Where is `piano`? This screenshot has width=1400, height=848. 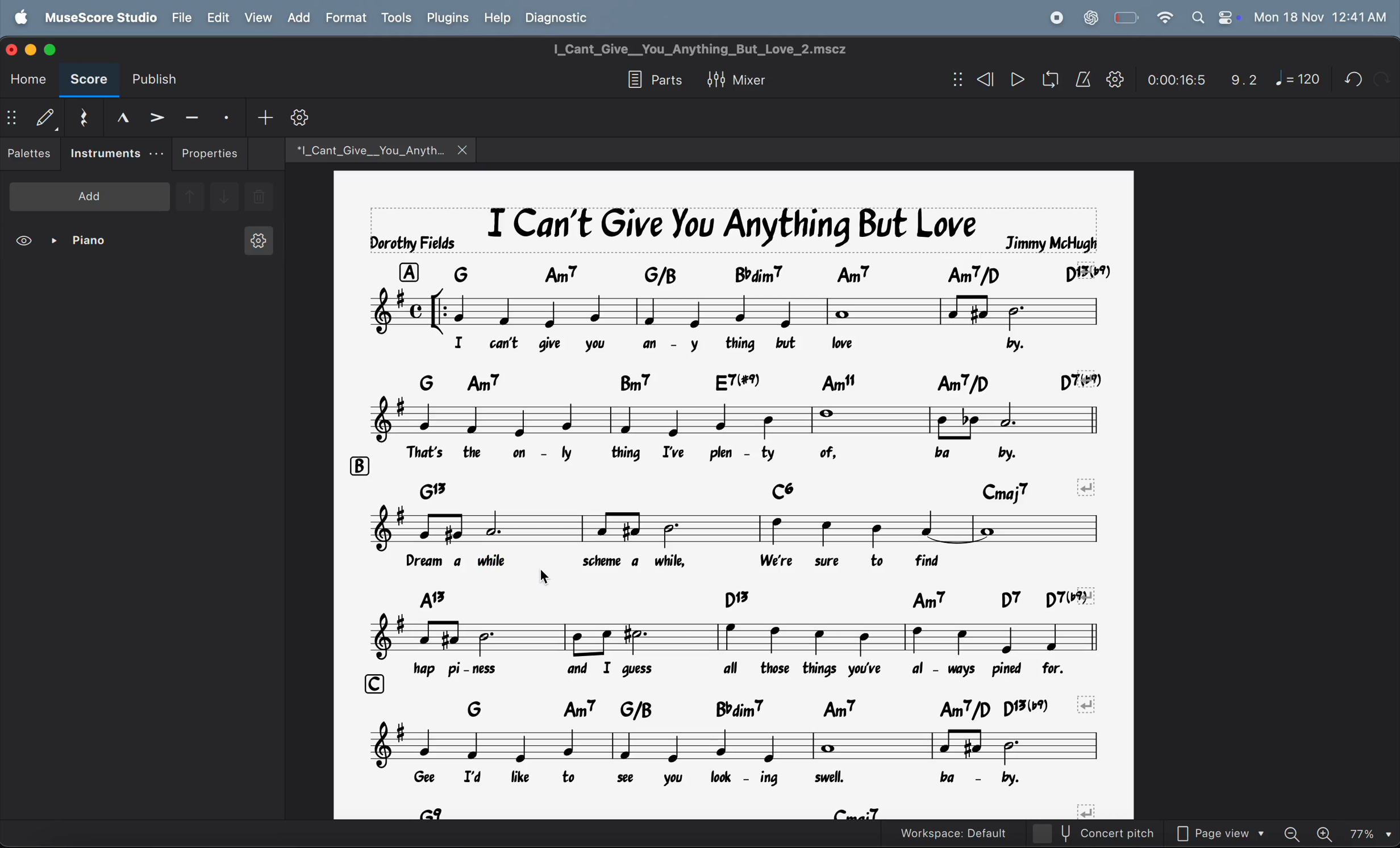
piano is located at coordinates (78, 239).